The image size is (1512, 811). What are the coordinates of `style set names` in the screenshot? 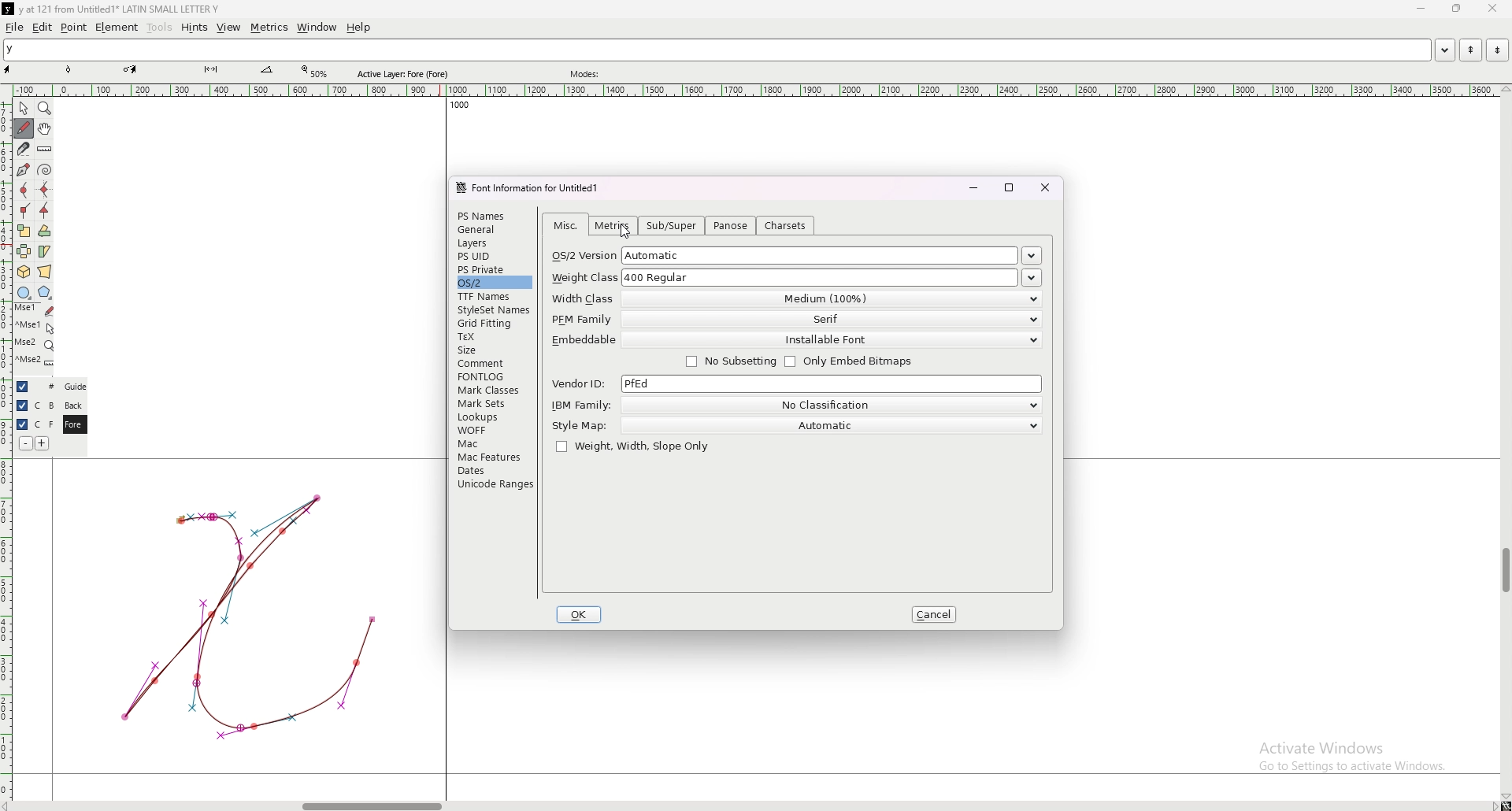 It's located at (492, 310).